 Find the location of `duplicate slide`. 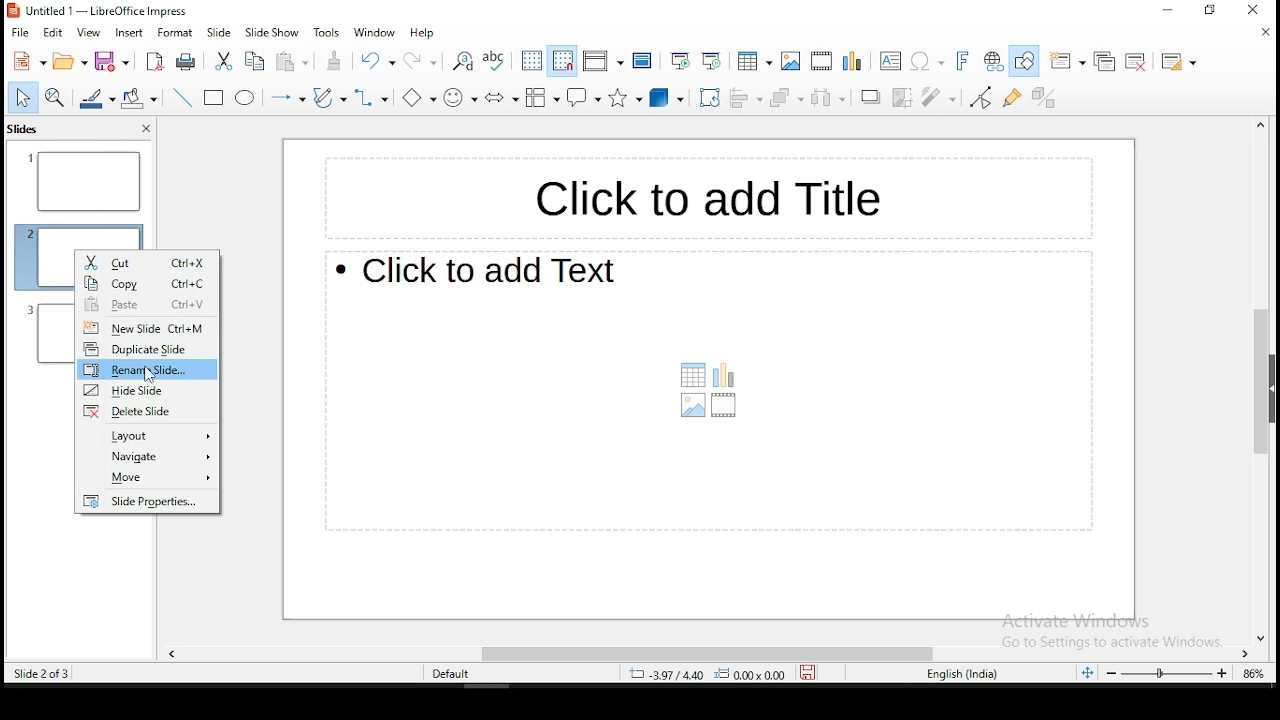

duplicate slide is located at coordinates (145, 347).